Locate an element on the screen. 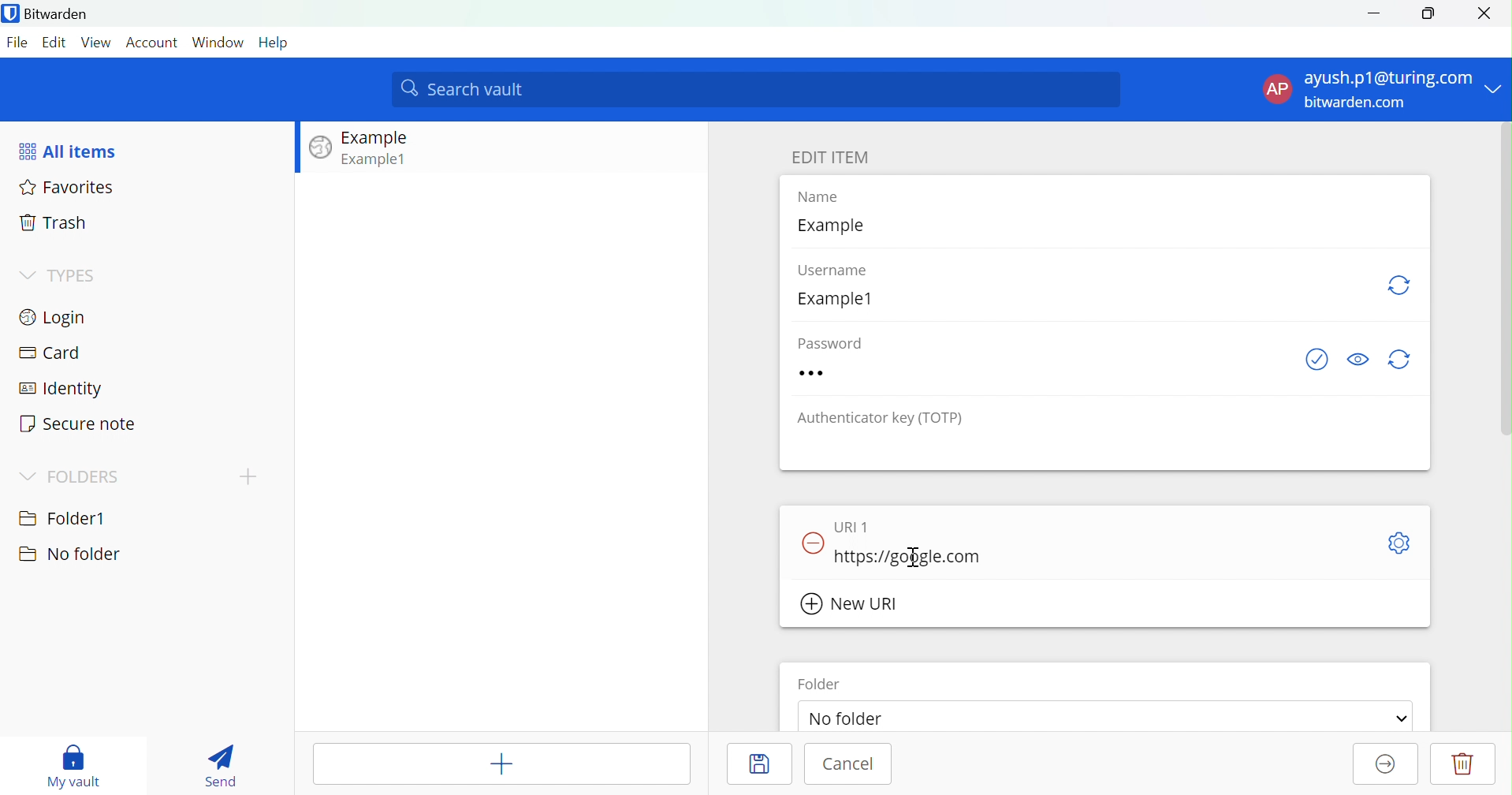 This screenshot has height=795, width=1512. https://google.com is located at coordinates (907, 557).